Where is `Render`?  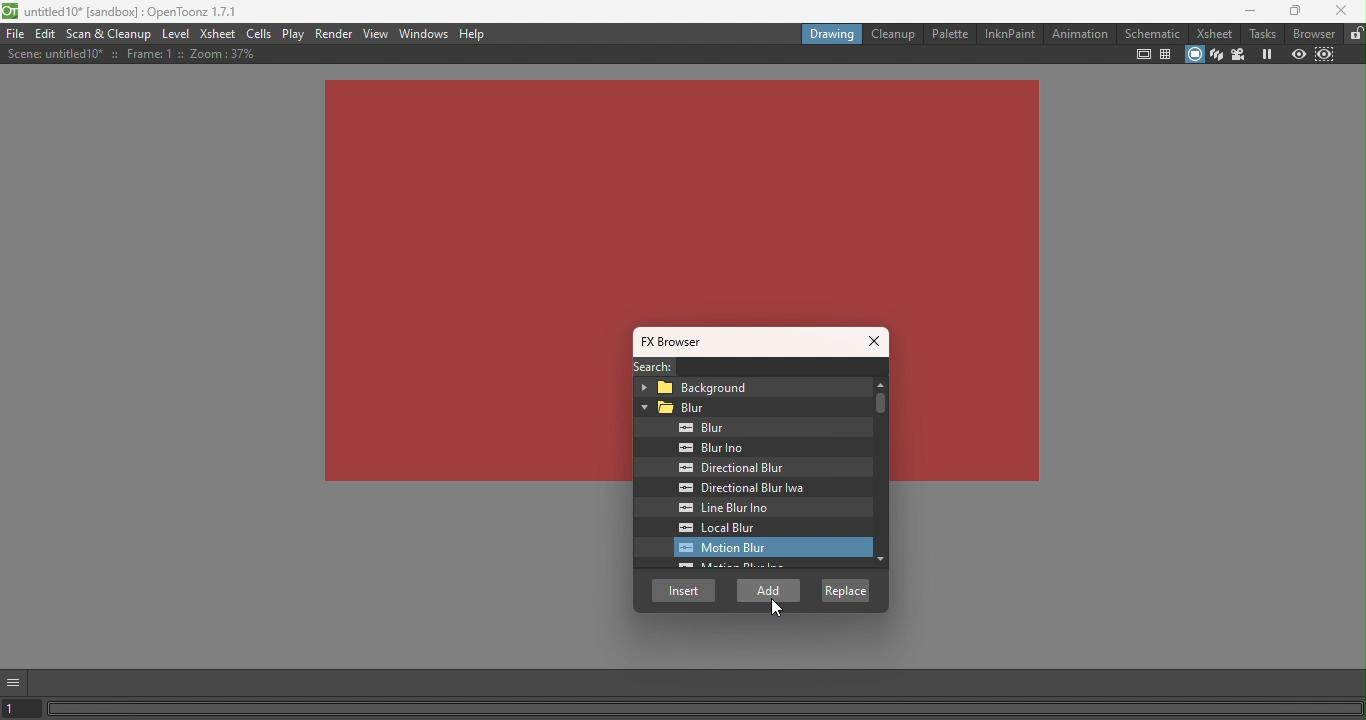 Render is located at coordinates (336, 32).